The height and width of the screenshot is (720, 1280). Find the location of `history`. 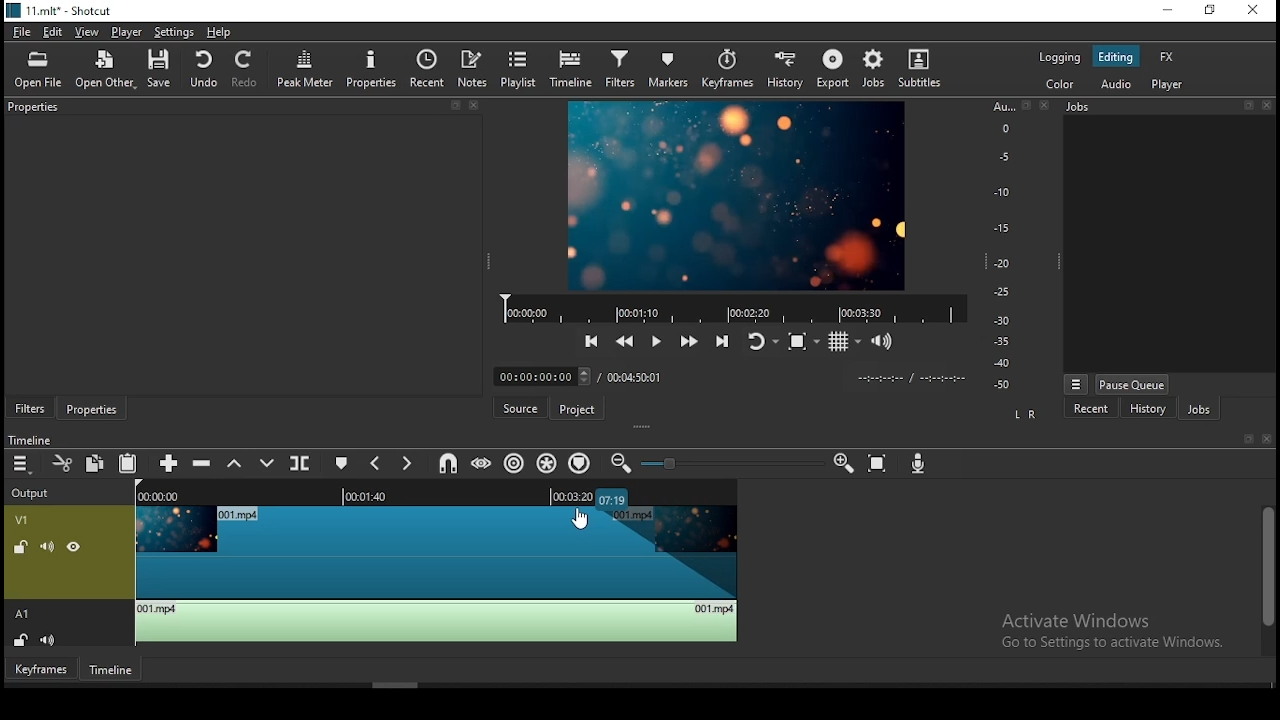

history is located at coordinates (782, 70).